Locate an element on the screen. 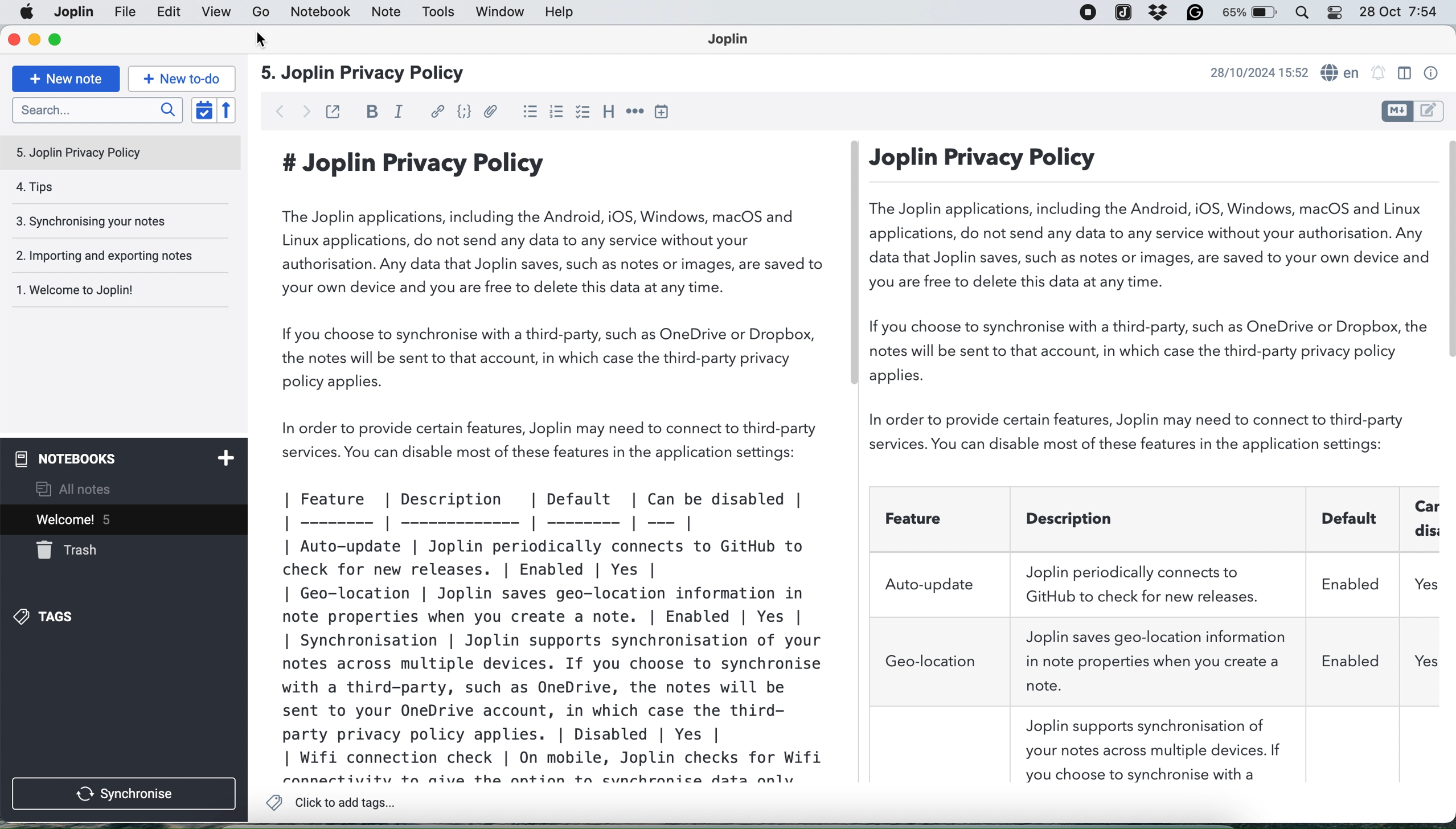  trash is located at coordinates (66, 549).